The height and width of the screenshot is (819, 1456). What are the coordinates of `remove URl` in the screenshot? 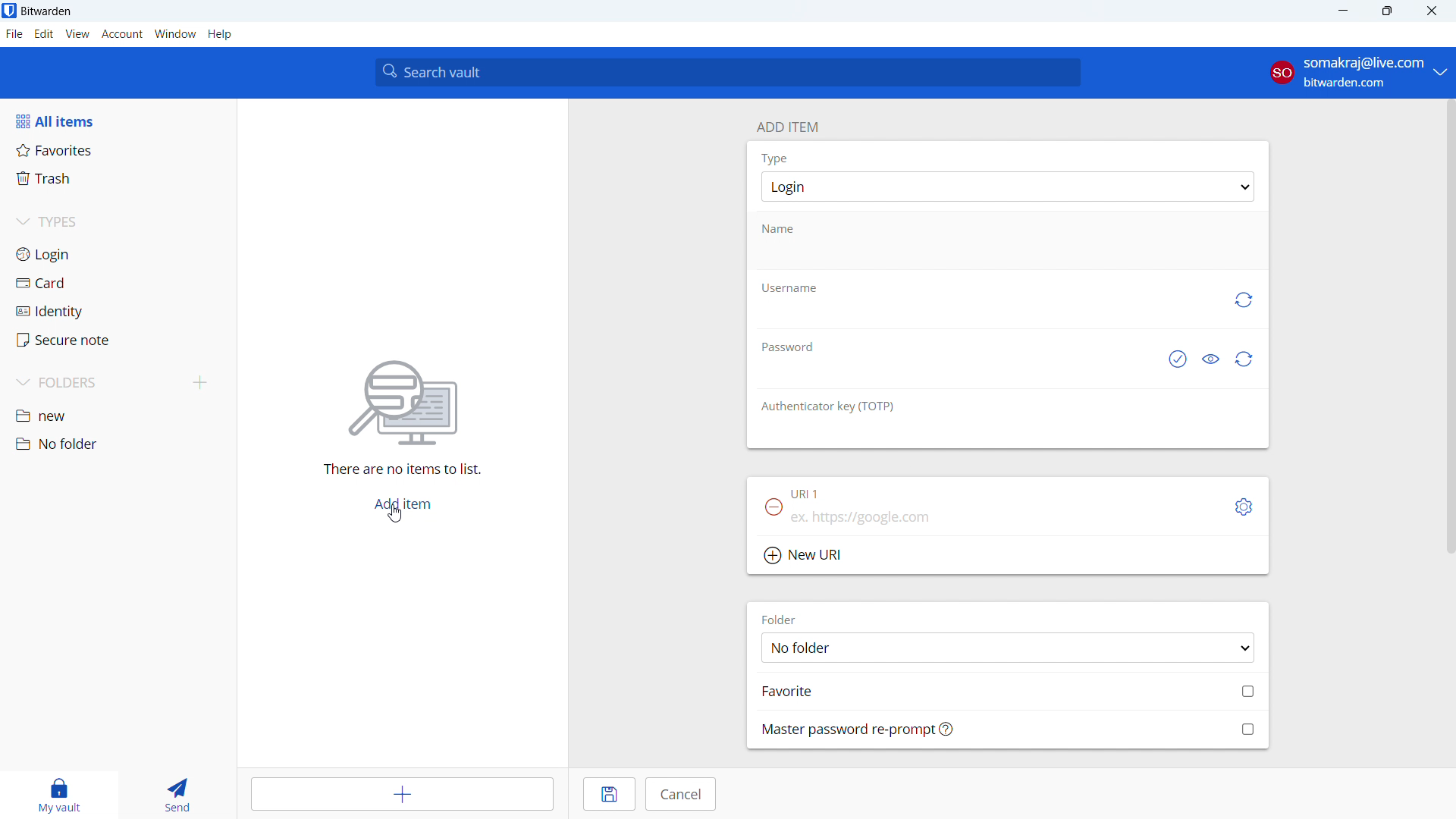 It's located at (773, 507).